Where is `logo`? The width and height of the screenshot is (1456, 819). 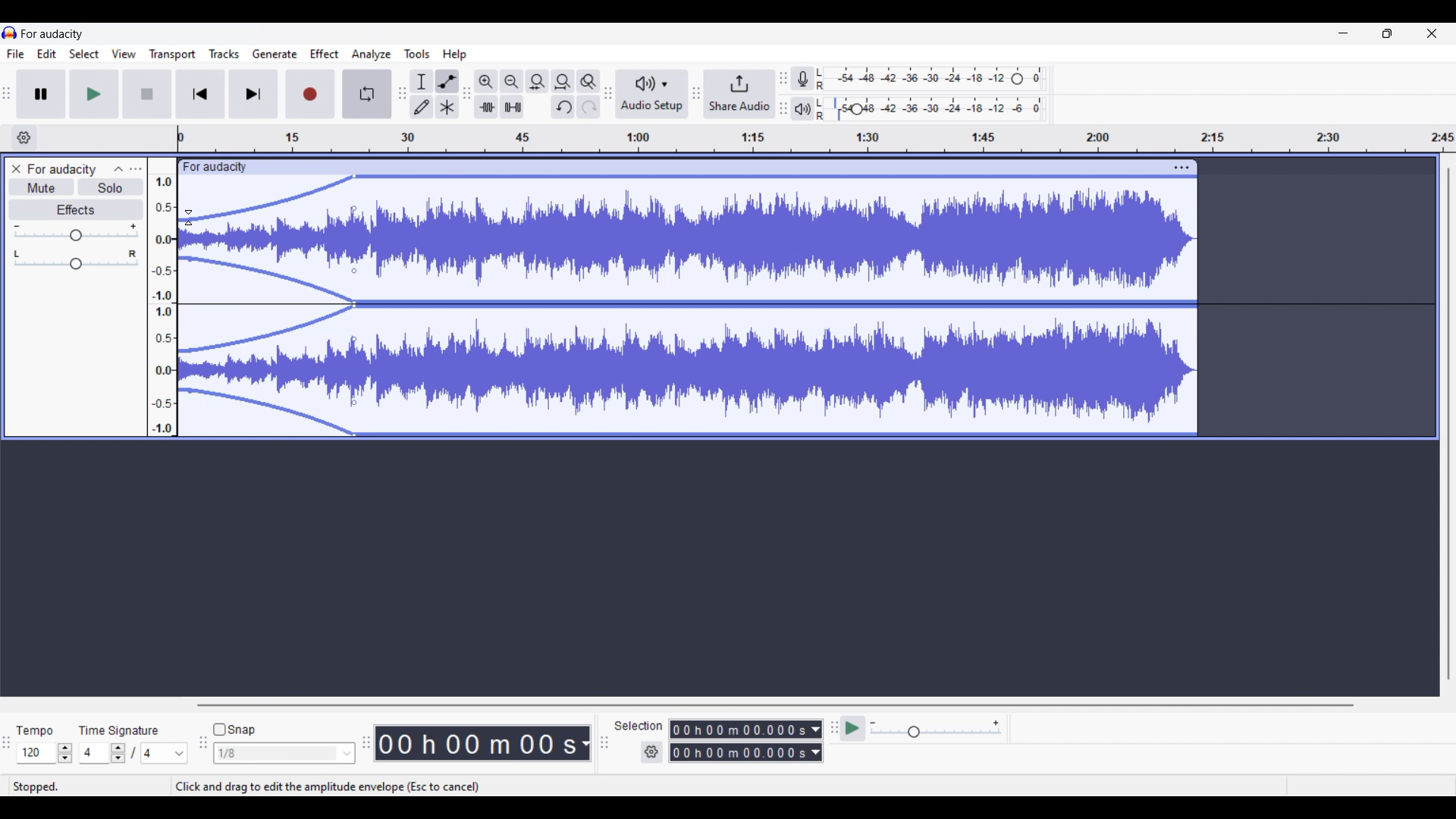
logo is located at coordinates (10, 33).